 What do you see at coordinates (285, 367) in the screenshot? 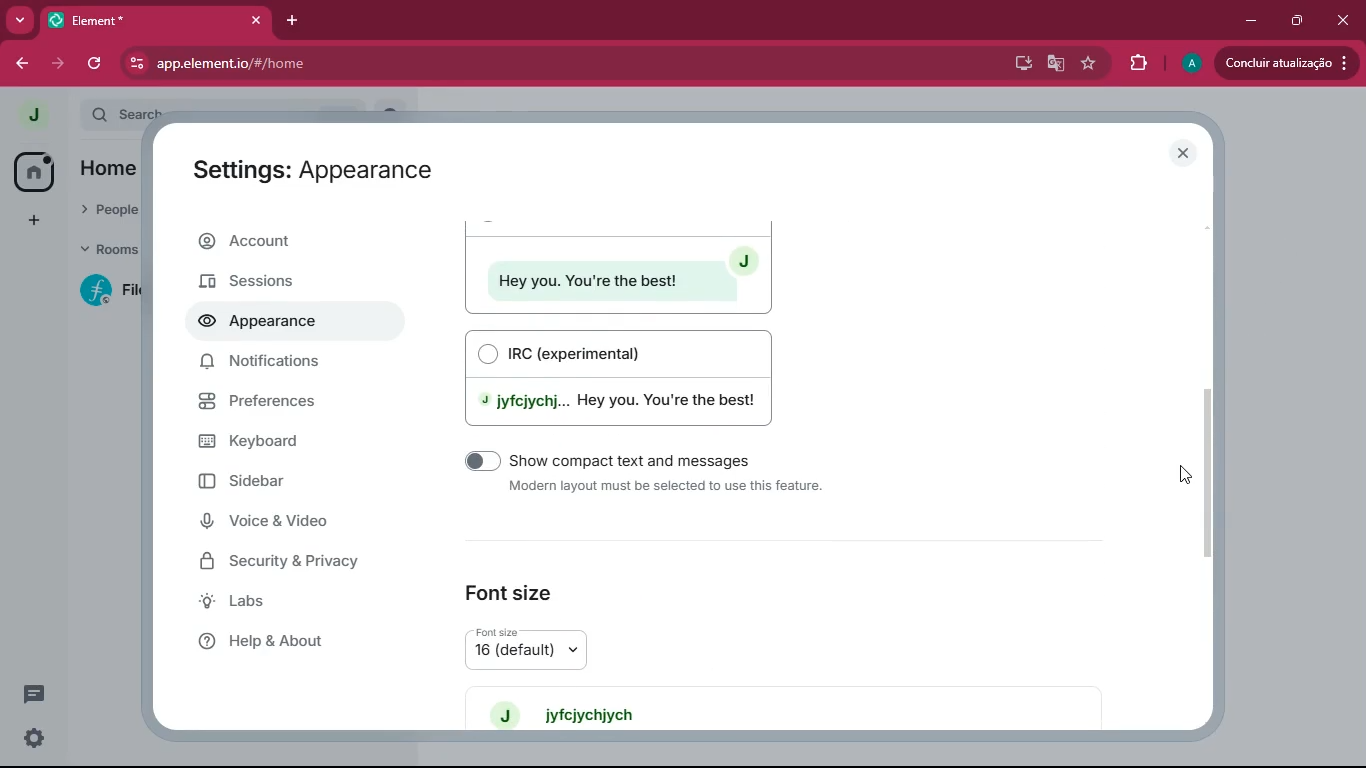
I see `notifications` at bounding box center [285, 367].